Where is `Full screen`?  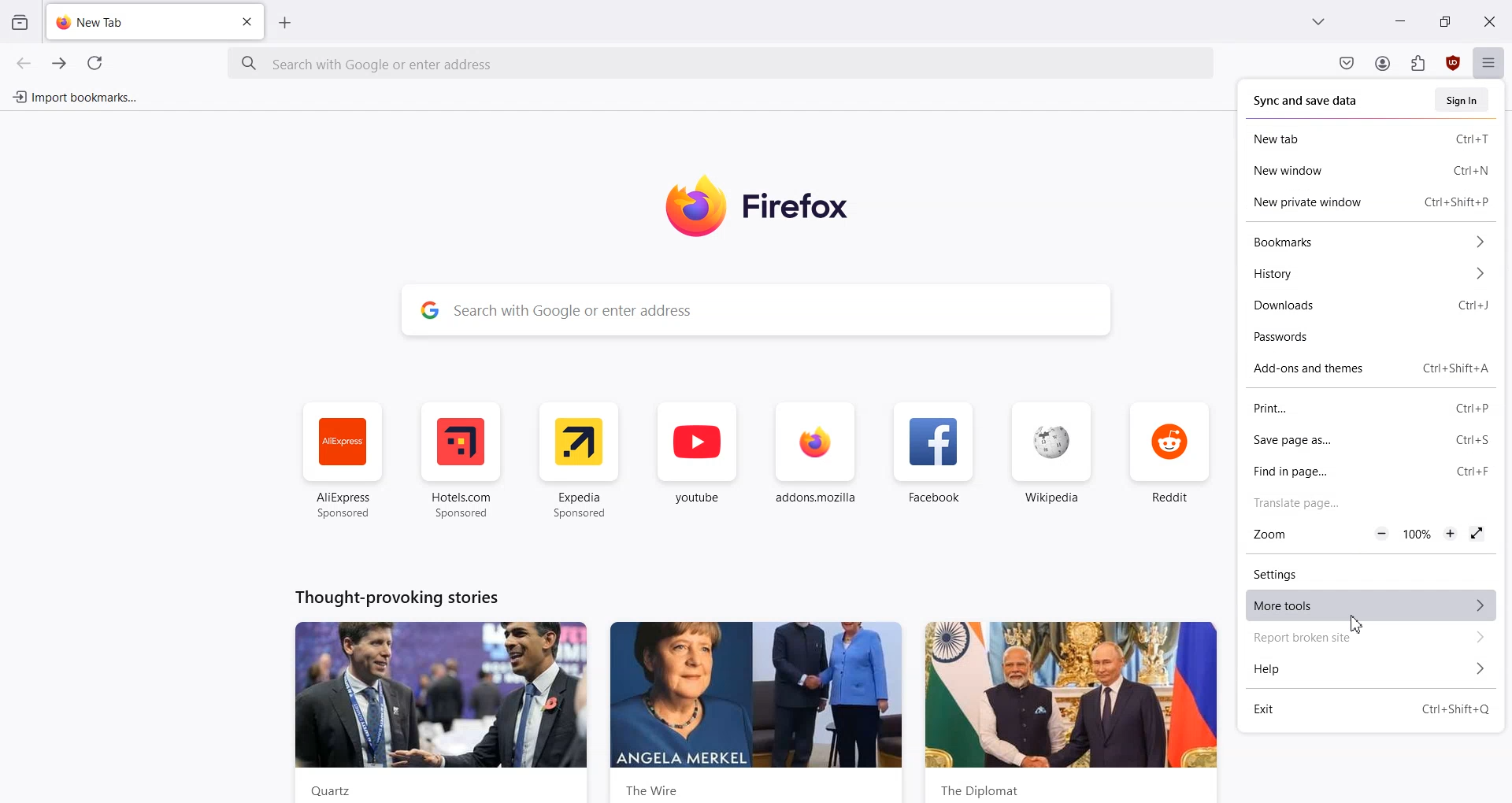 Full screen is located at coordinates (1478, 535).